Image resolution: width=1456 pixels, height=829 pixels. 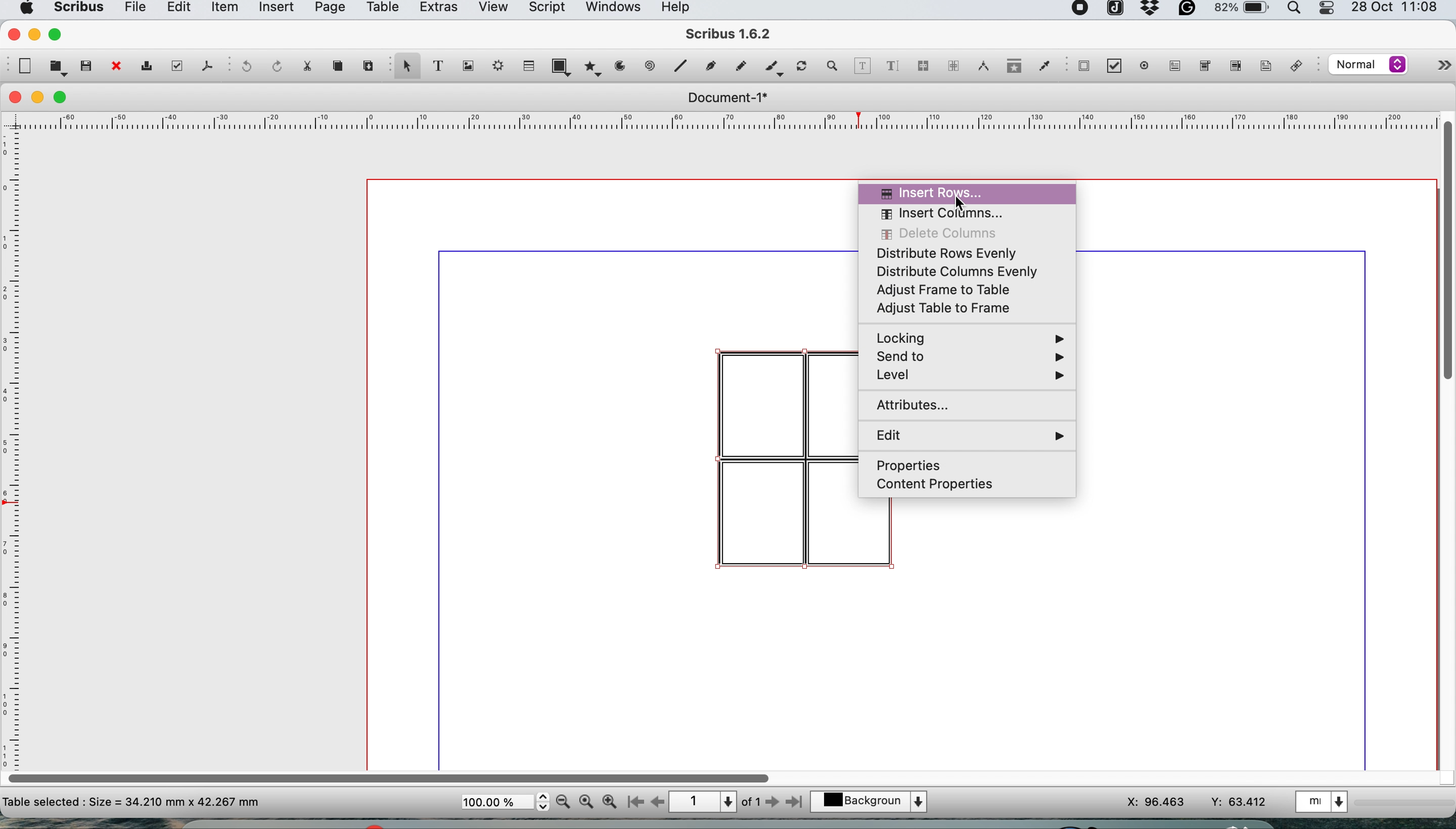 I want to click on attributes, so click(x=920, y=408).